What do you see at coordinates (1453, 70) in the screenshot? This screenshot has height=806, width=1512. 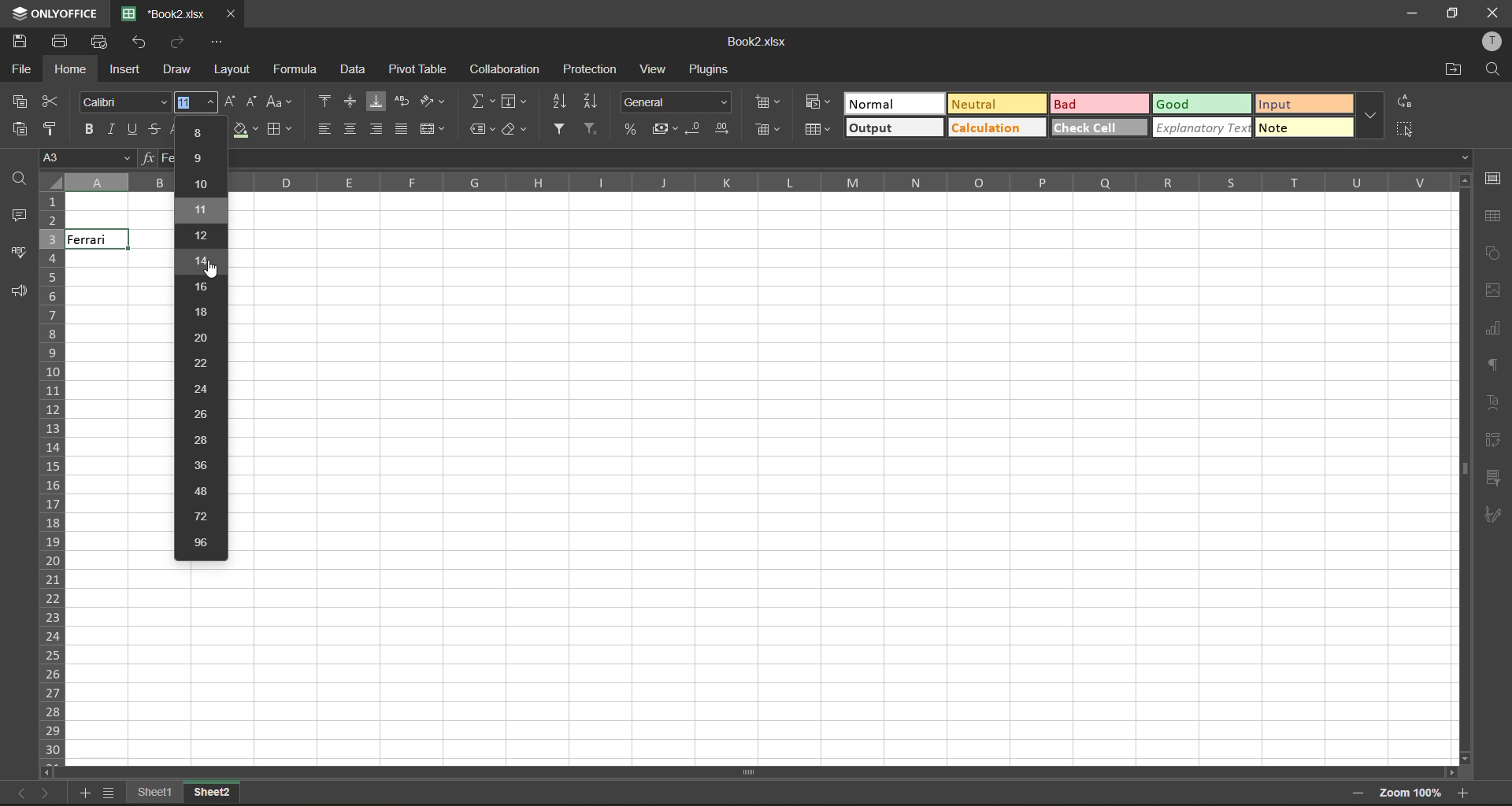 I see `open location` at bounding box center [1453, 70].